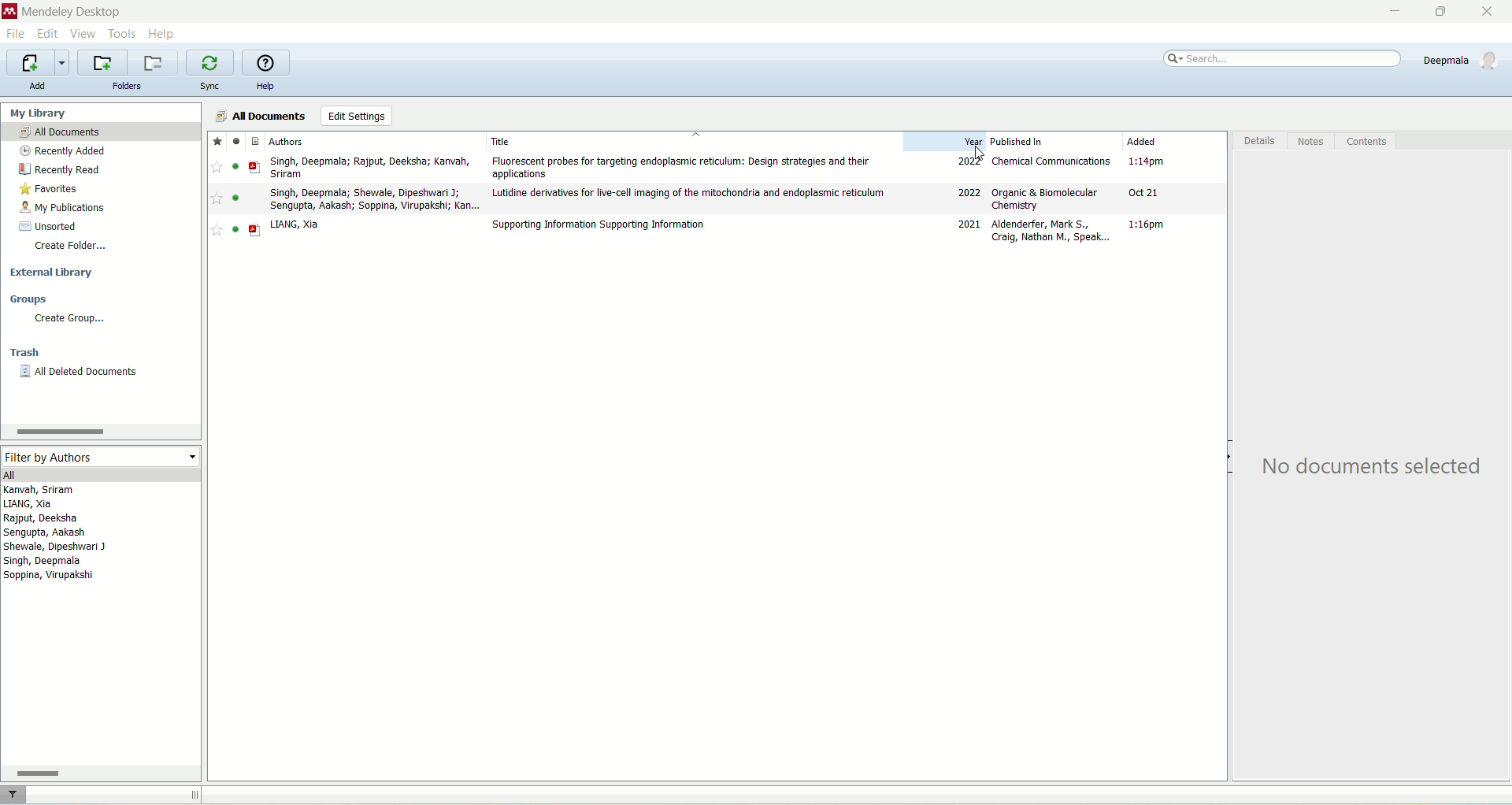 The height and width of the screenshot is (805, 1512). Describe the element at coordinates (253, 228) in the screenshot. I see `PDF` at that location.